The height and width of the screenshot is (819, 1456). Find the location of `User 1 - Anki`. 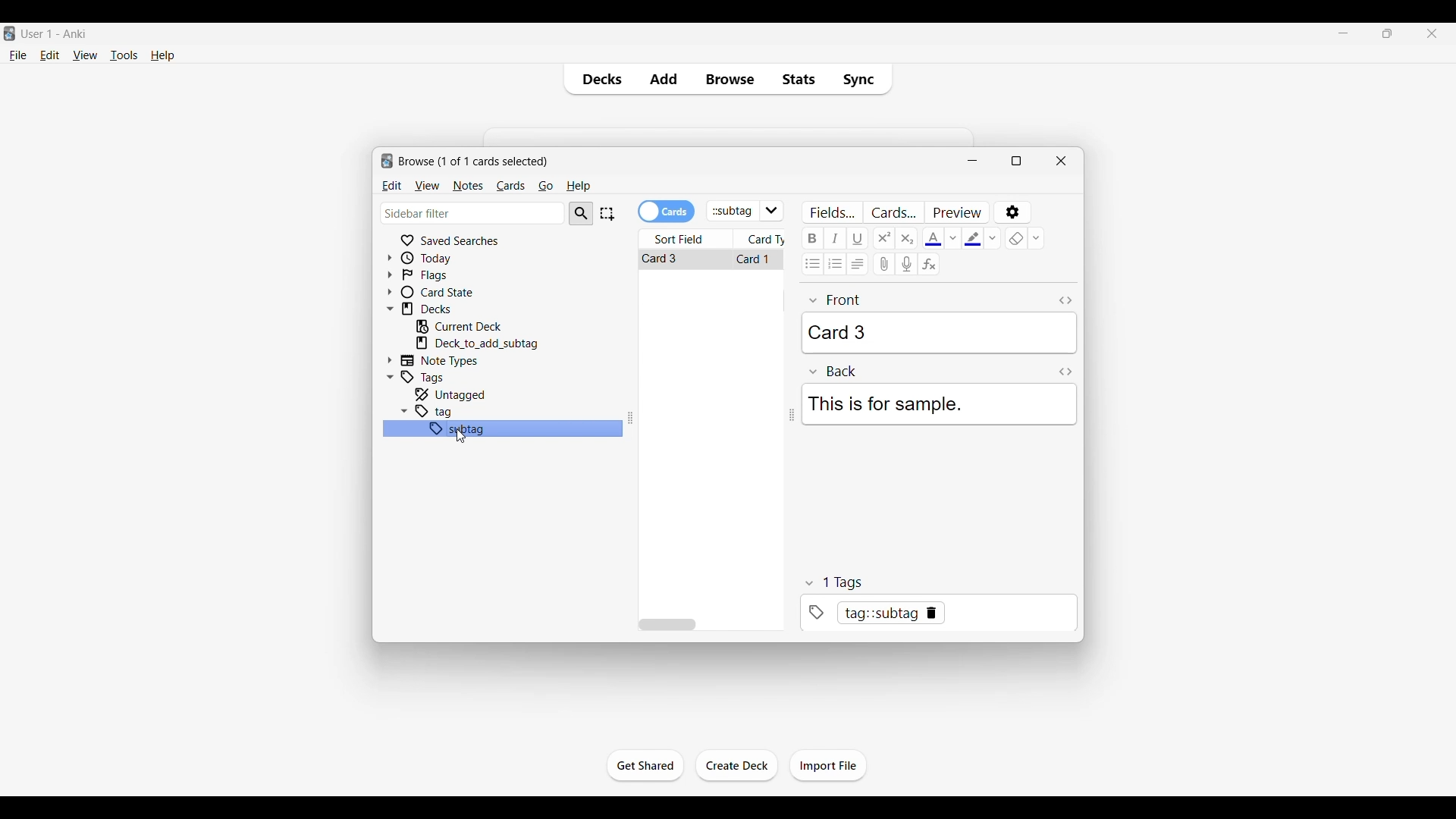

User 1 - Anki is located at coordinates (55, 33).